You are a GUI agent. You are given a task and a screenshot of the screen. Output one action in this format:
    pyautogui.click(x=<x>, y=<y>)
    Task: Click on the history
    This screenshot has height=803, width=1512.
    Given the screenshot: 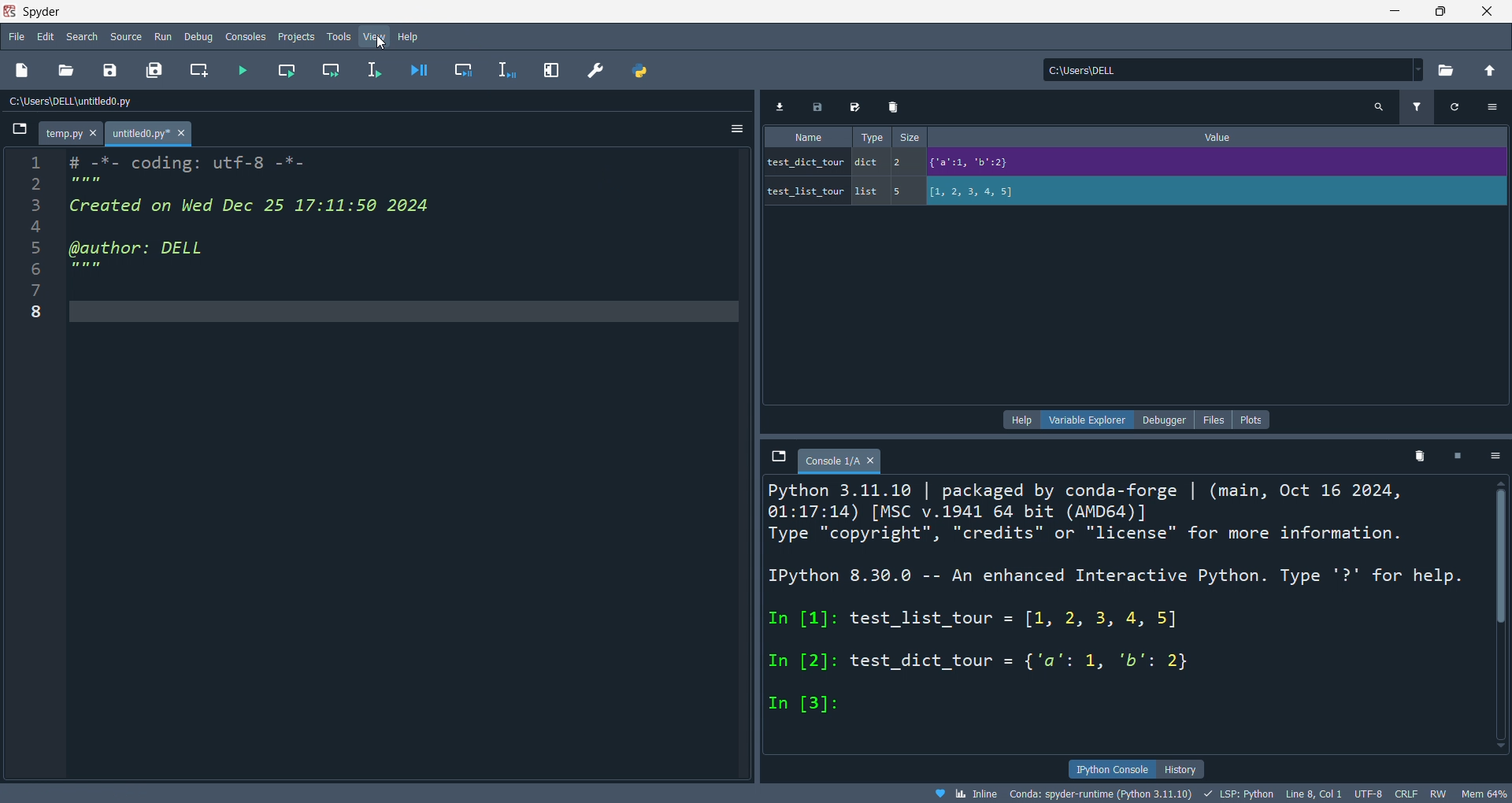 What is the action you would take?
    pyautogui.click(x=1180, y=769)
    